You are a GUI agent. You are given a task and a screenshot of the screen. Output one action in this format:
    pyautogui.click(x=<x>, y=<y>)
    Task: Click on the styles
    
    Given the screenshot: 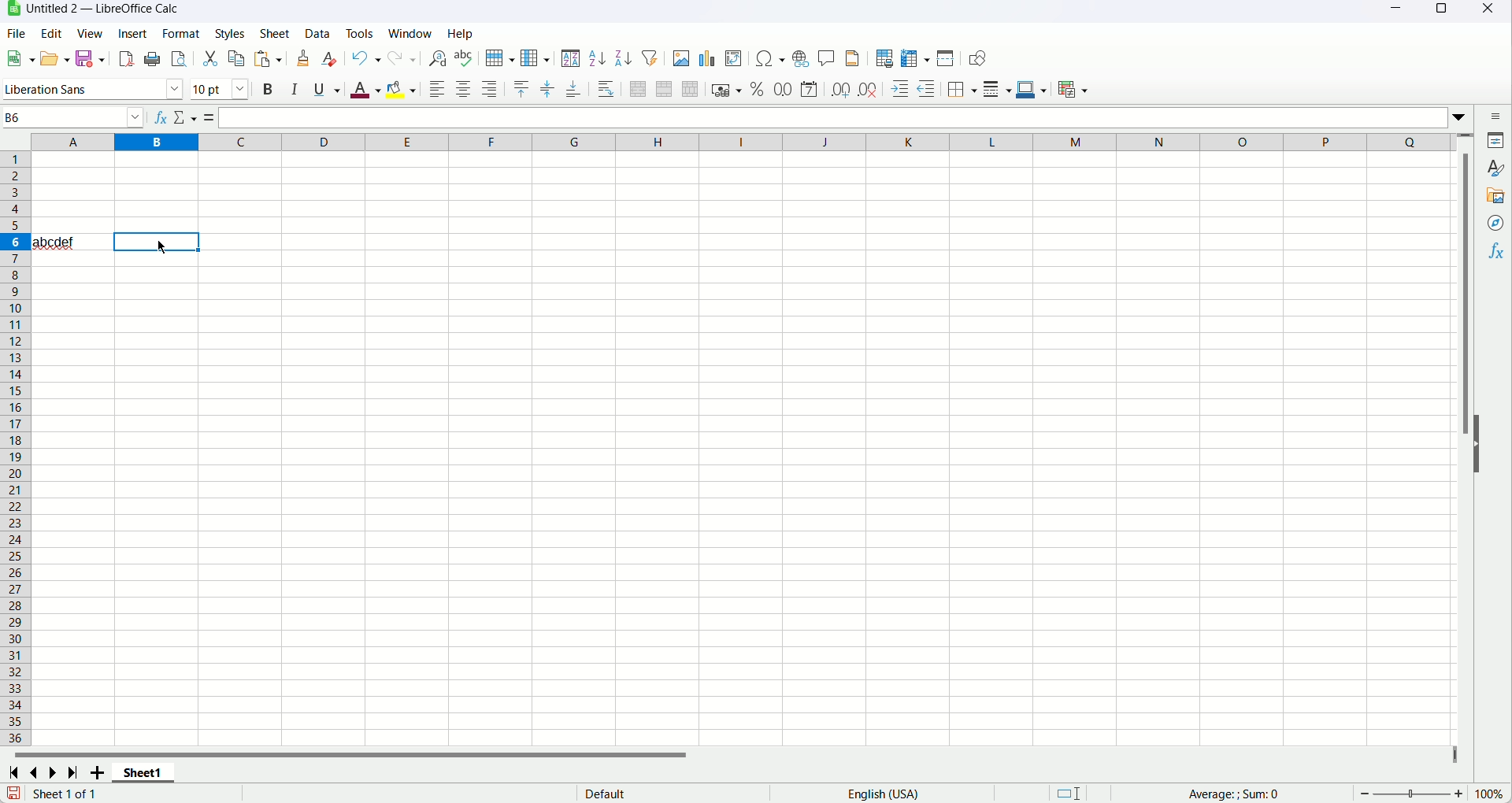 What is the action you would take?
    pyautogui.click(x=229, y=33)
    